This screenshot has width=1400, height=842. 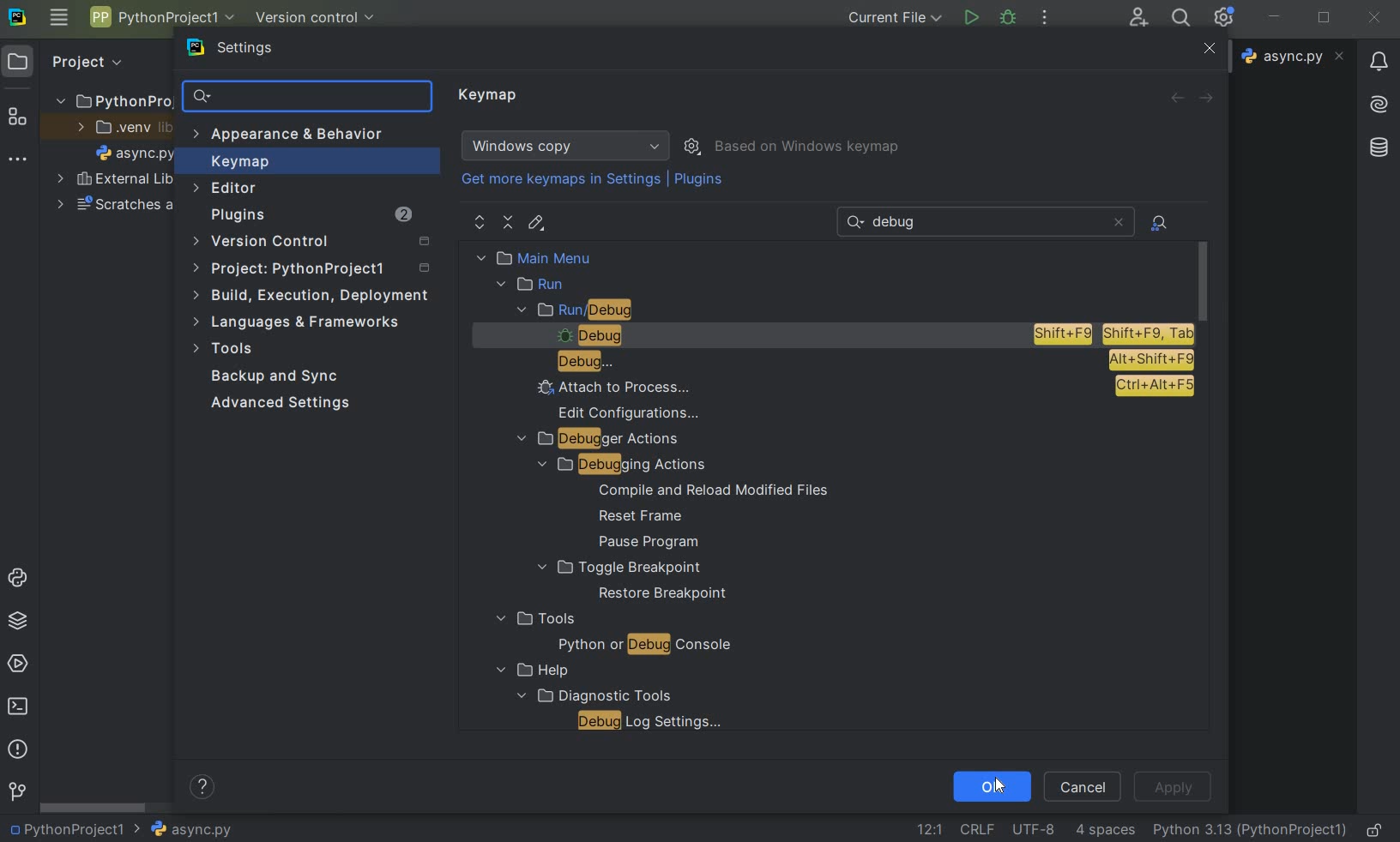 What do you see at coordinates (896, 17) in the screenshot?
I see `current file` at bounding box center [896, 17].